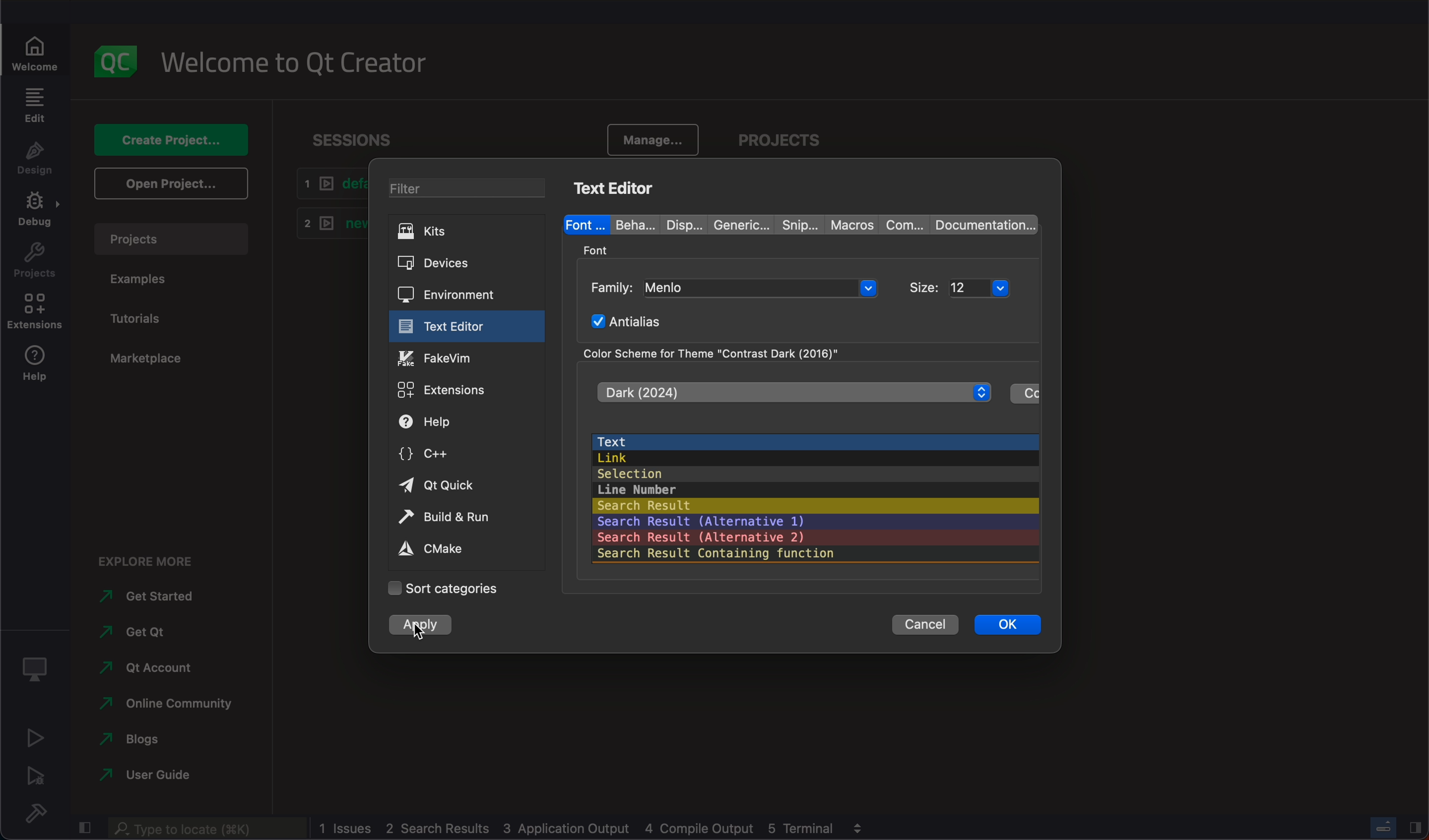 The height and width of the screenshot is (840, 1429). What do you see at coordinates (206, 829) in the screenshot?
I see `search` at bounding box center [206, 829].